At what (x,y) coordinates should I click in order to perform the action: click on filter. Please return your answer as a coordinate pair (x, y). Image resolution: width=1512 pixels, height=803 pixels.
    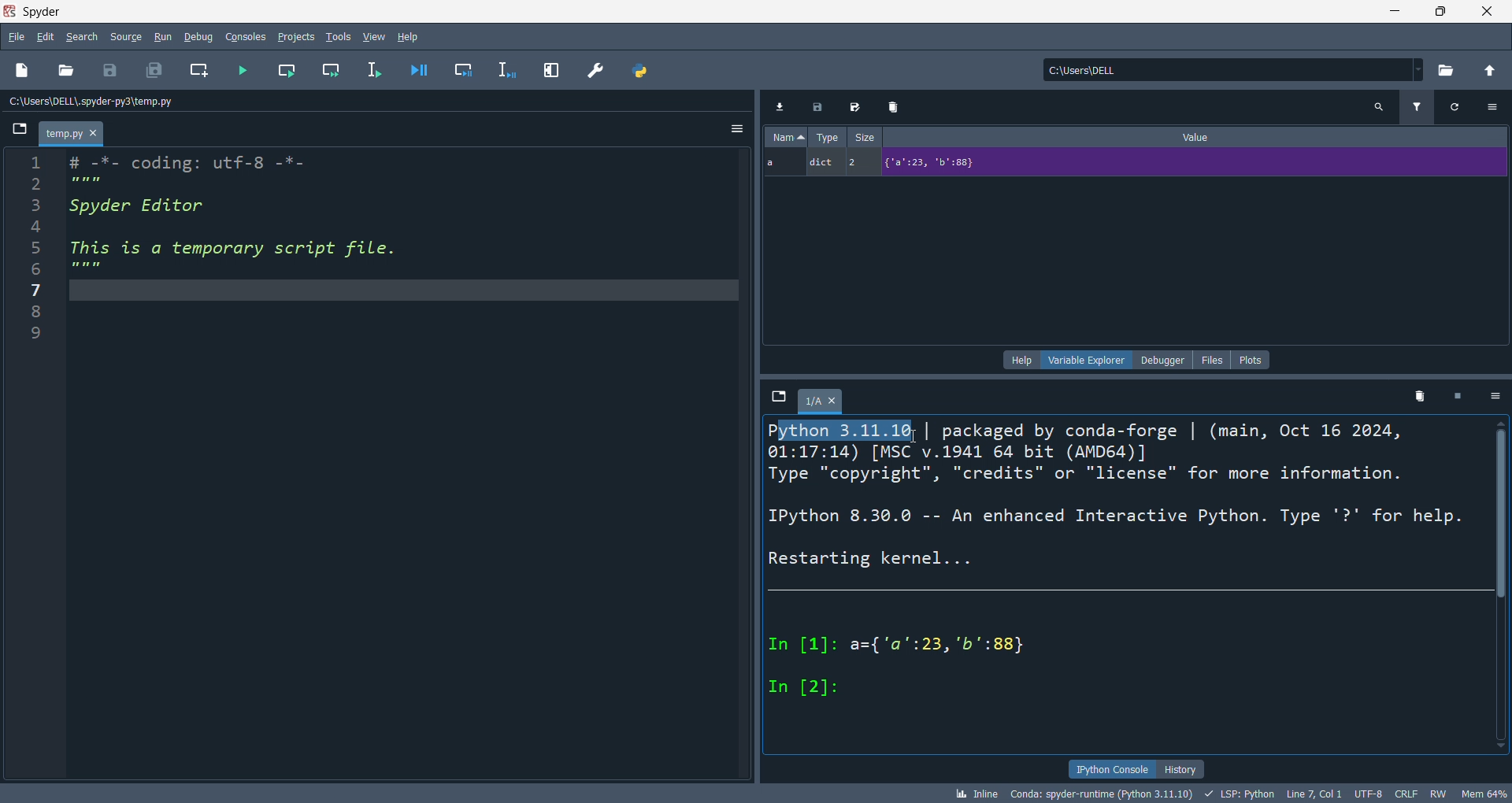
    Looking at the image, I should click on (1420, 105).